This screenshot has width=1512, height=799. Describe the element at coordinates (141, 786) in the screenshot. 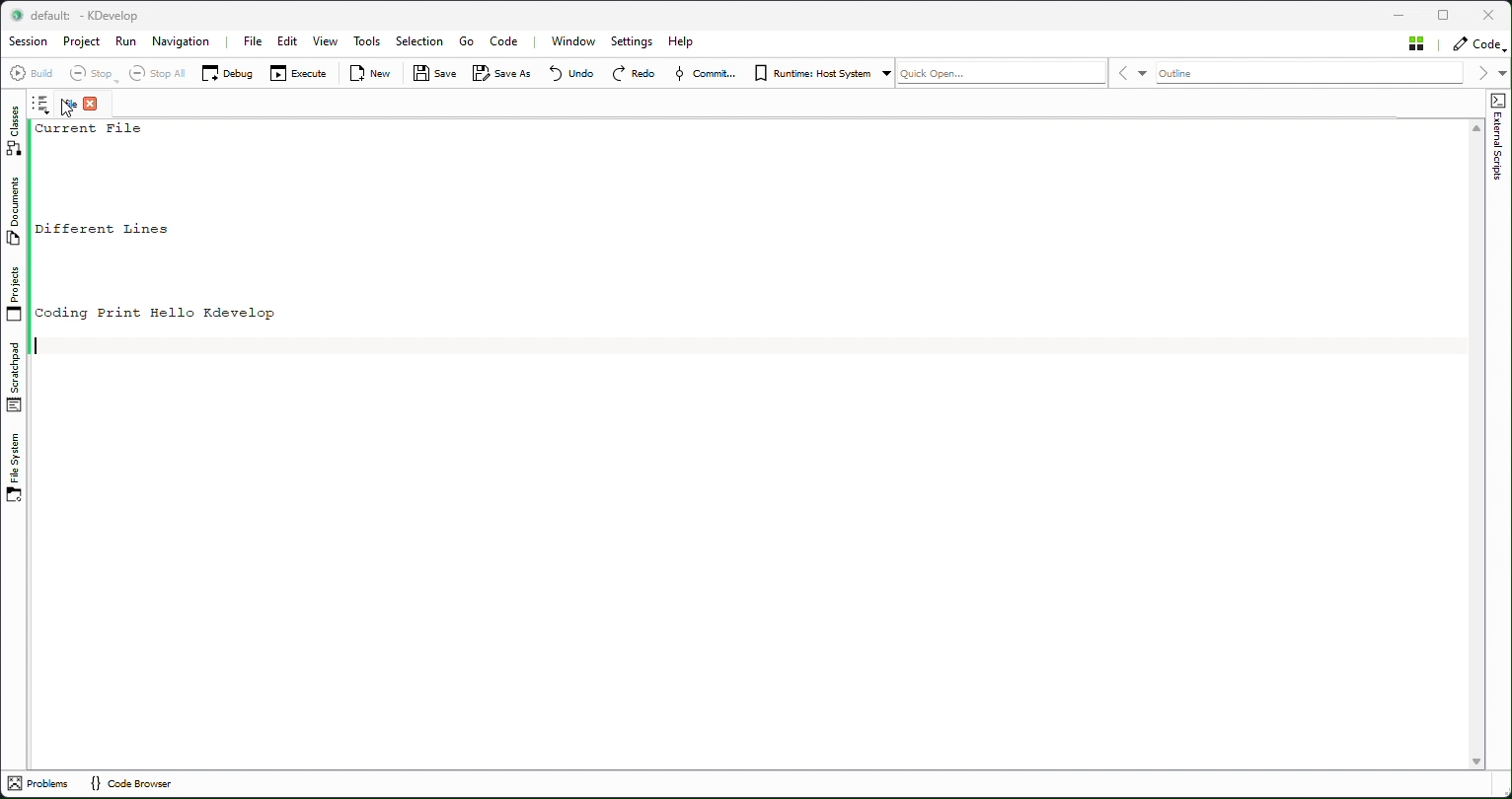

I see `Code Browser` at that location.